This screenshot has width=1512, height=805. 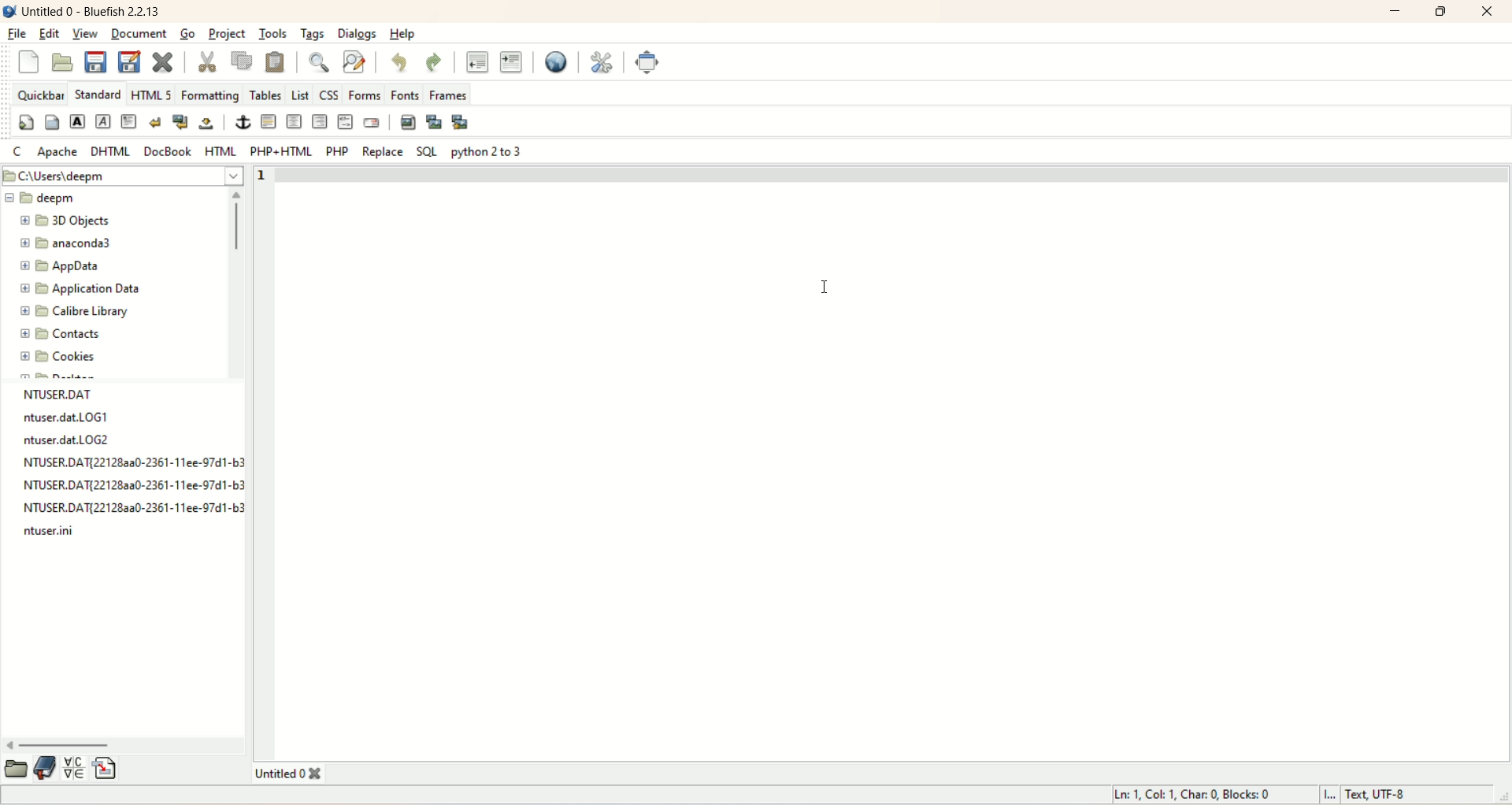 I want to click on formatting, so click(x=210, y=96).